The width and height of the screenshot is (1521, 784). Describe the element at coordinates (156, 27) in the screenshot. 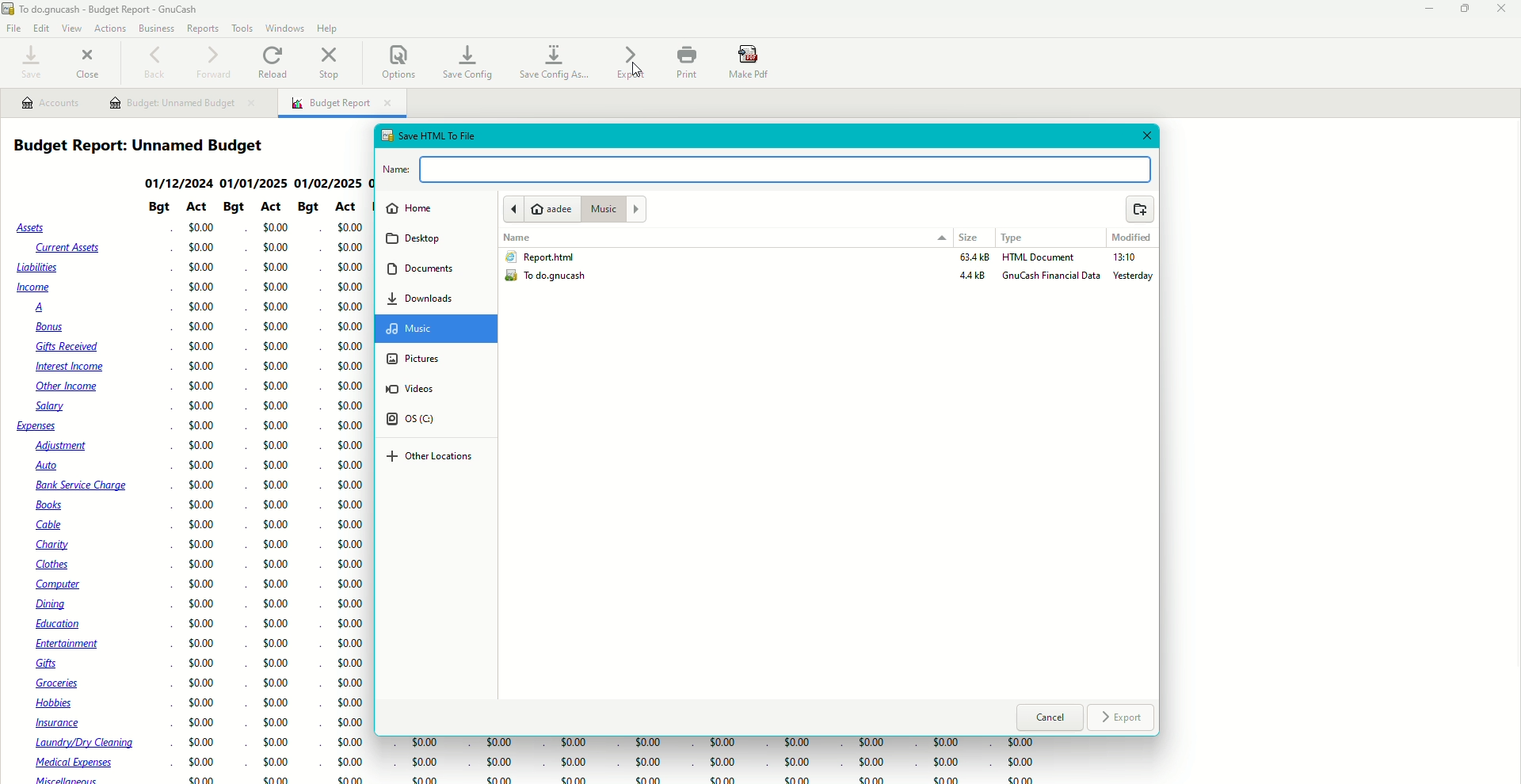

I see `Business` at that location.